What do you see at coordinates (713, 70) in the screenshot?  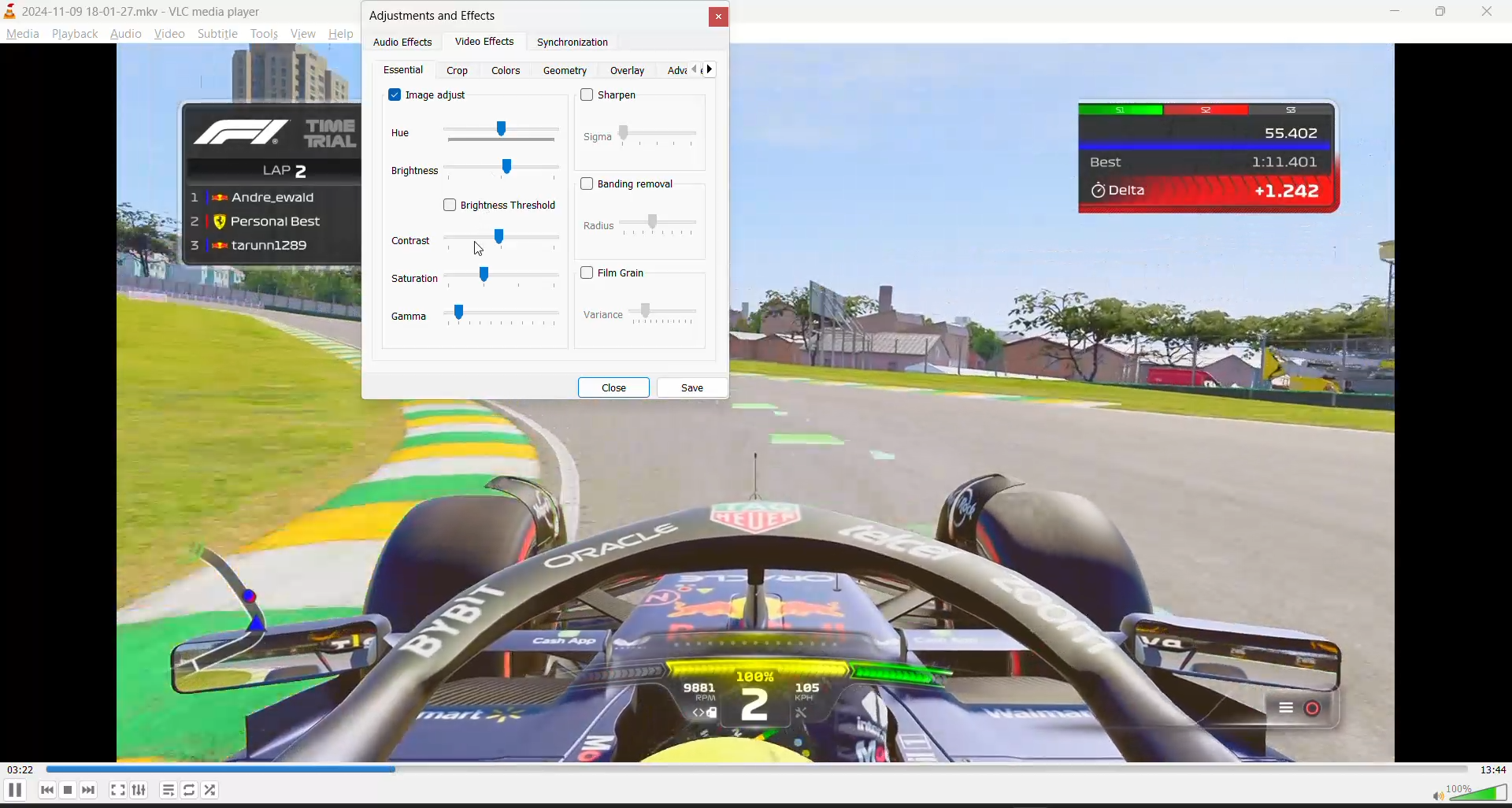 I see `next` at bounding box center [713, 70].